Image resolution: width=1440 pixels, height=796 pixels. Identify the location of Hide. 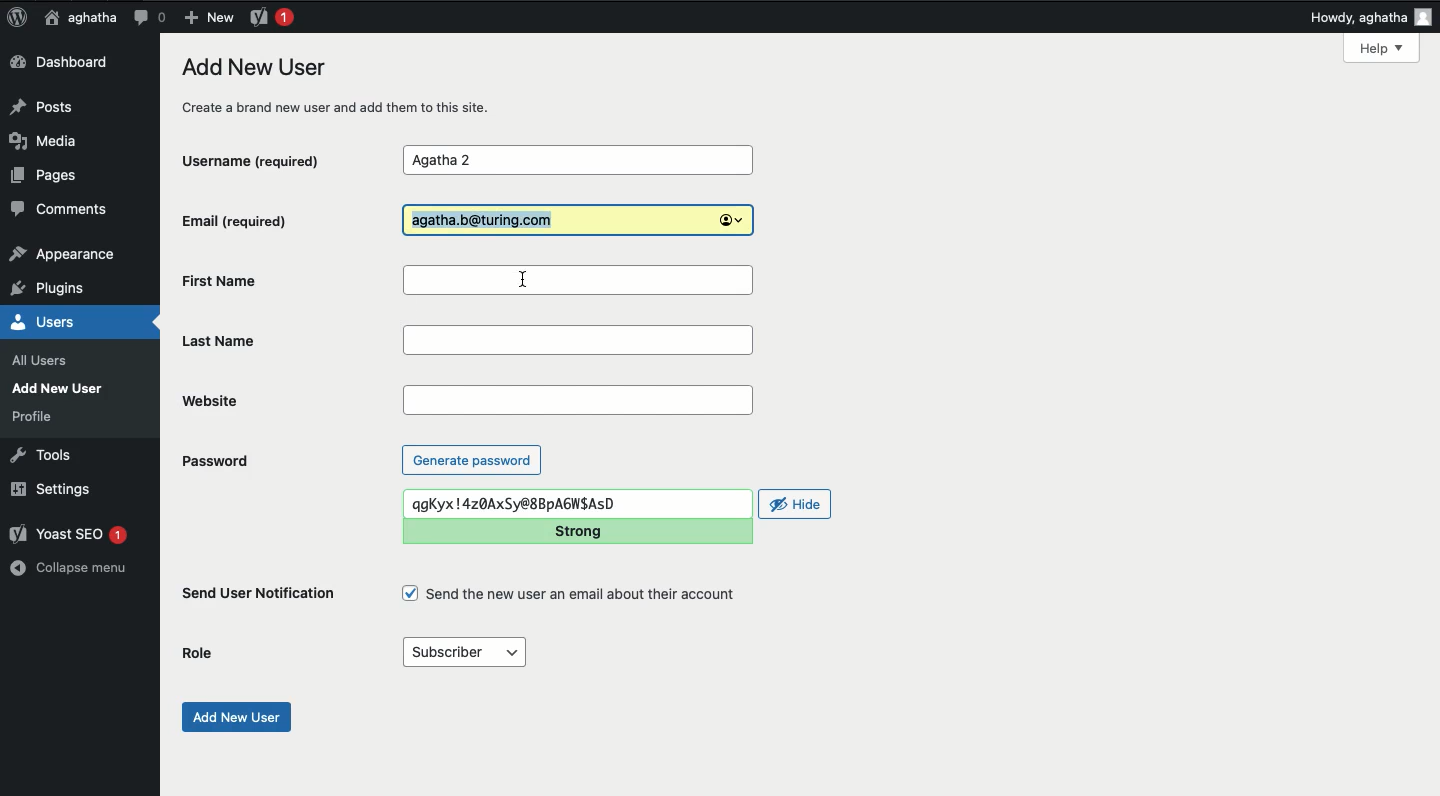
(796, 504).